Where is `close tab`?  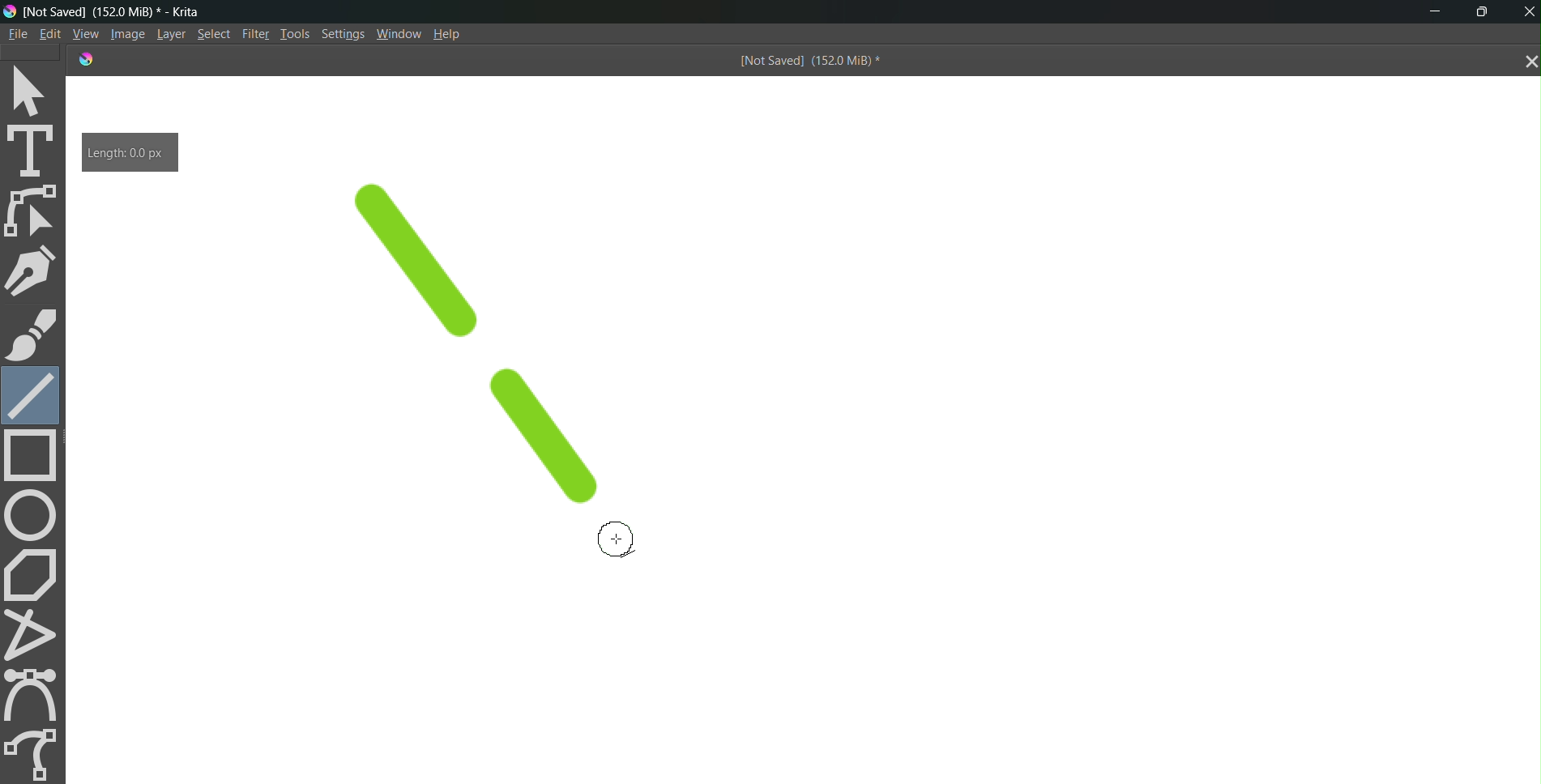 close tab is located at coordinates (1526, 62).